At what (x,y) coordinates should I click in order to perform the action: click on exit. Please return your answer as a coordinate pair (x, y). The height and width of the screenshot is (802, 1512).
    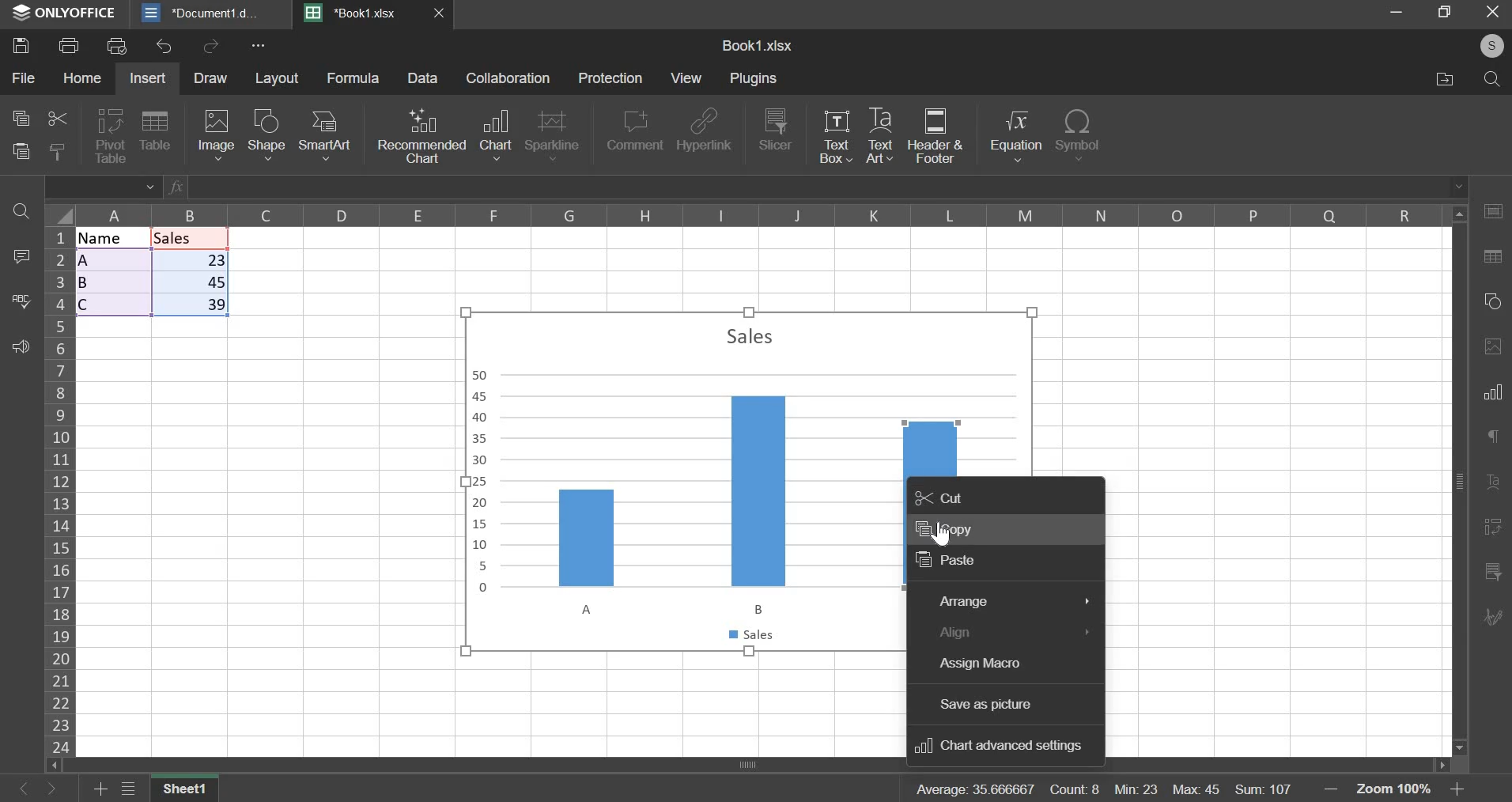
    Looking at the image, I should click on (1491, 17).